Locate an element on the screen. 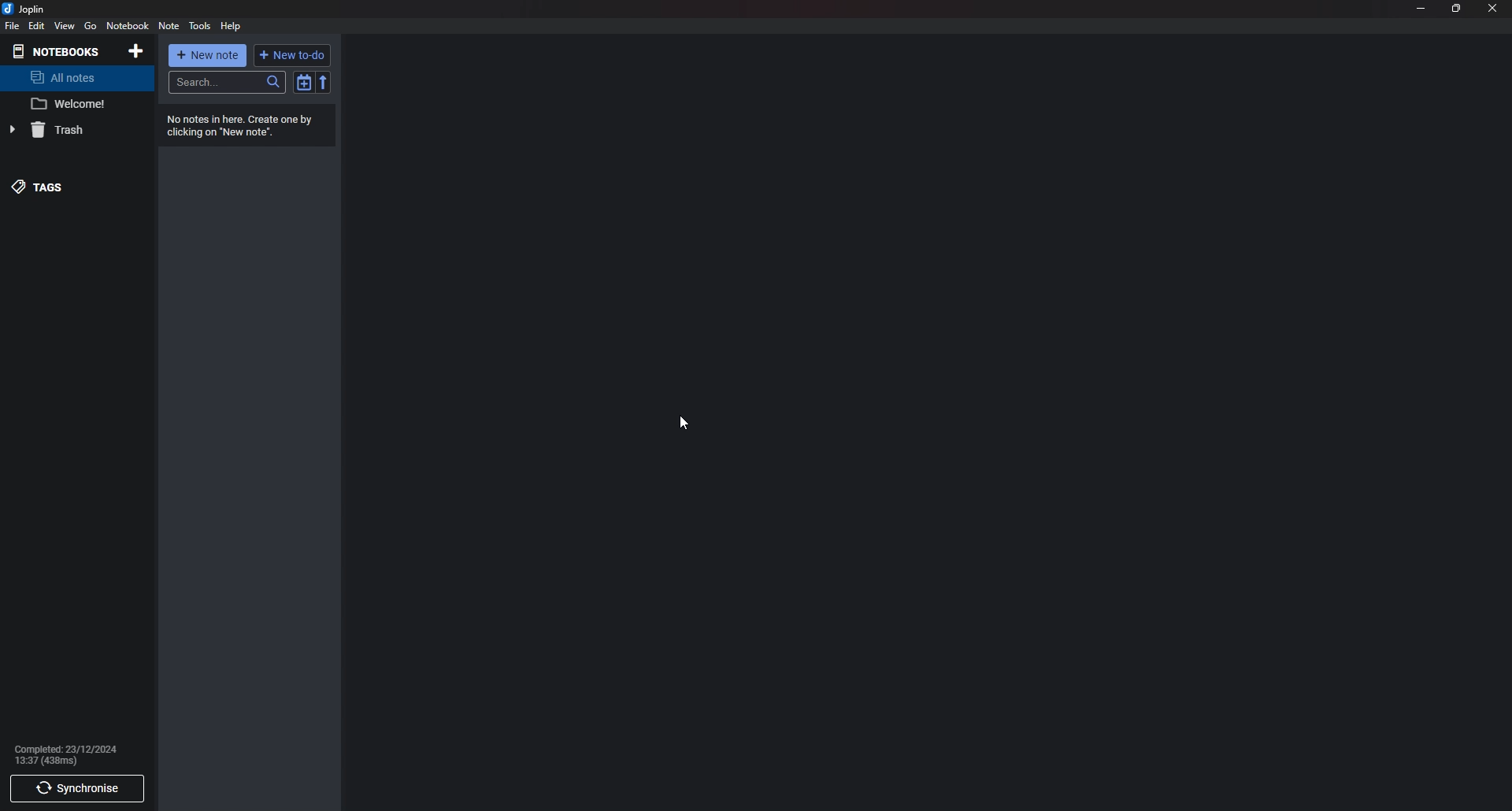 The image size is (1512, 811). Welcome is located at coordinates (69, 106).